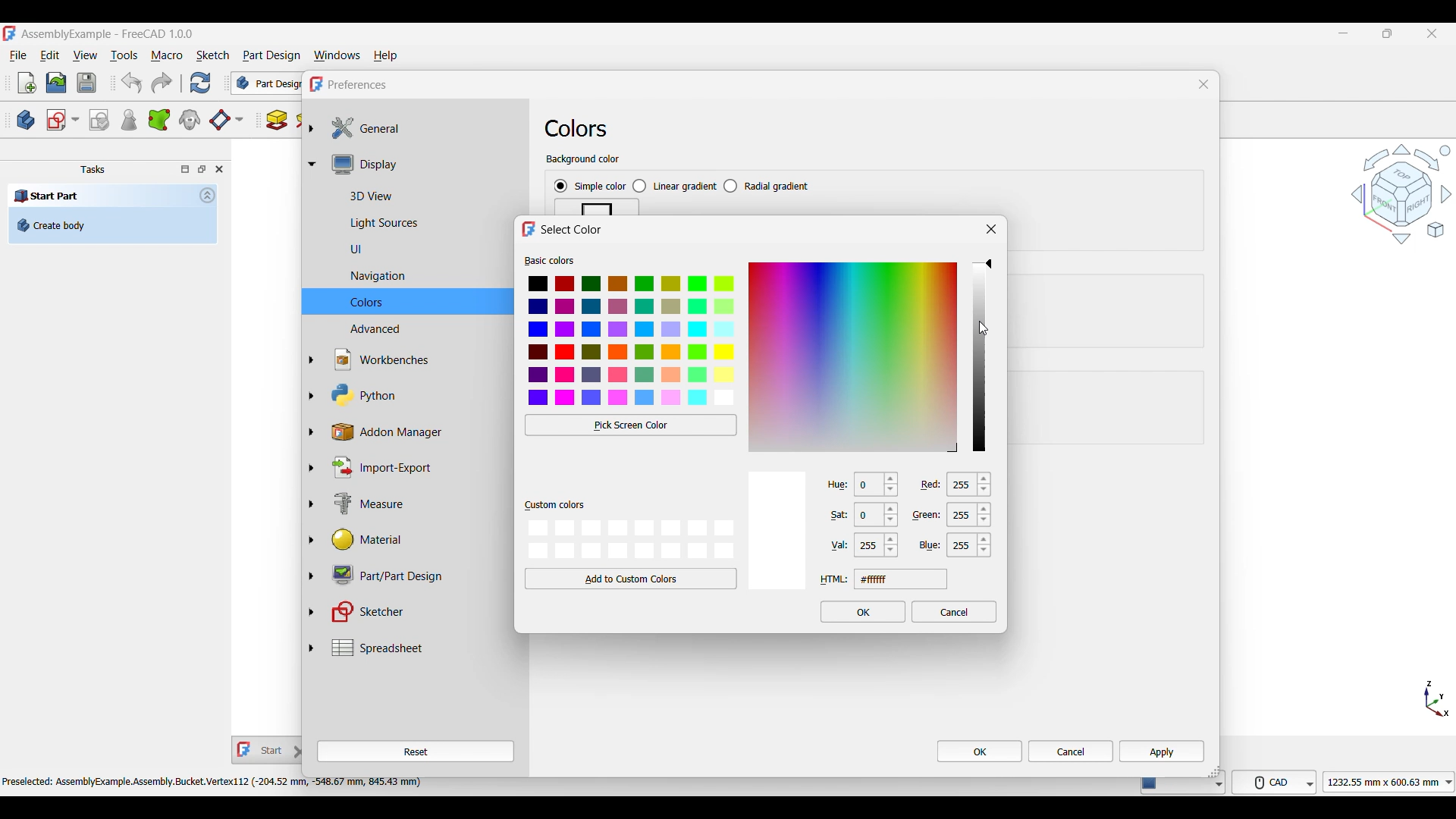 The width and height of the screenshot is (1456, 819). I want to click on Create body, so click(112, 225).